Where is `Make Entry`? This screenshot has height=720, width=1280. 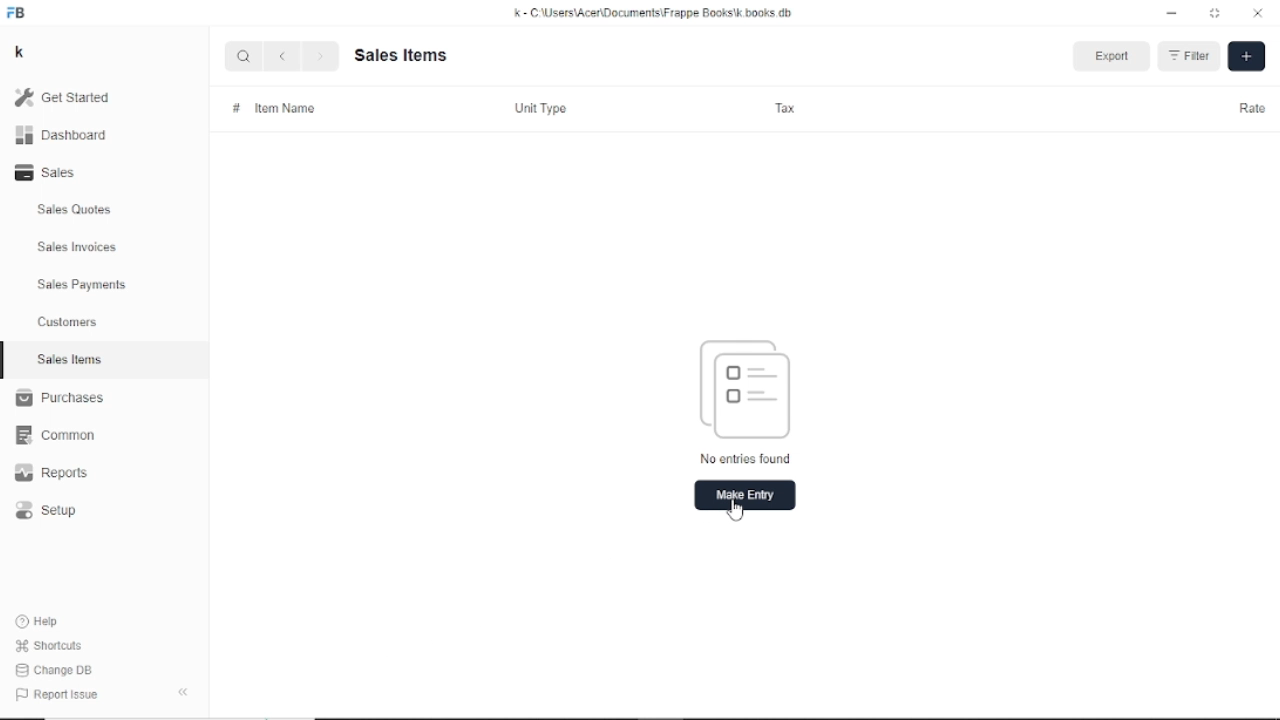 Make Entry is located at coordinates (746, 495).